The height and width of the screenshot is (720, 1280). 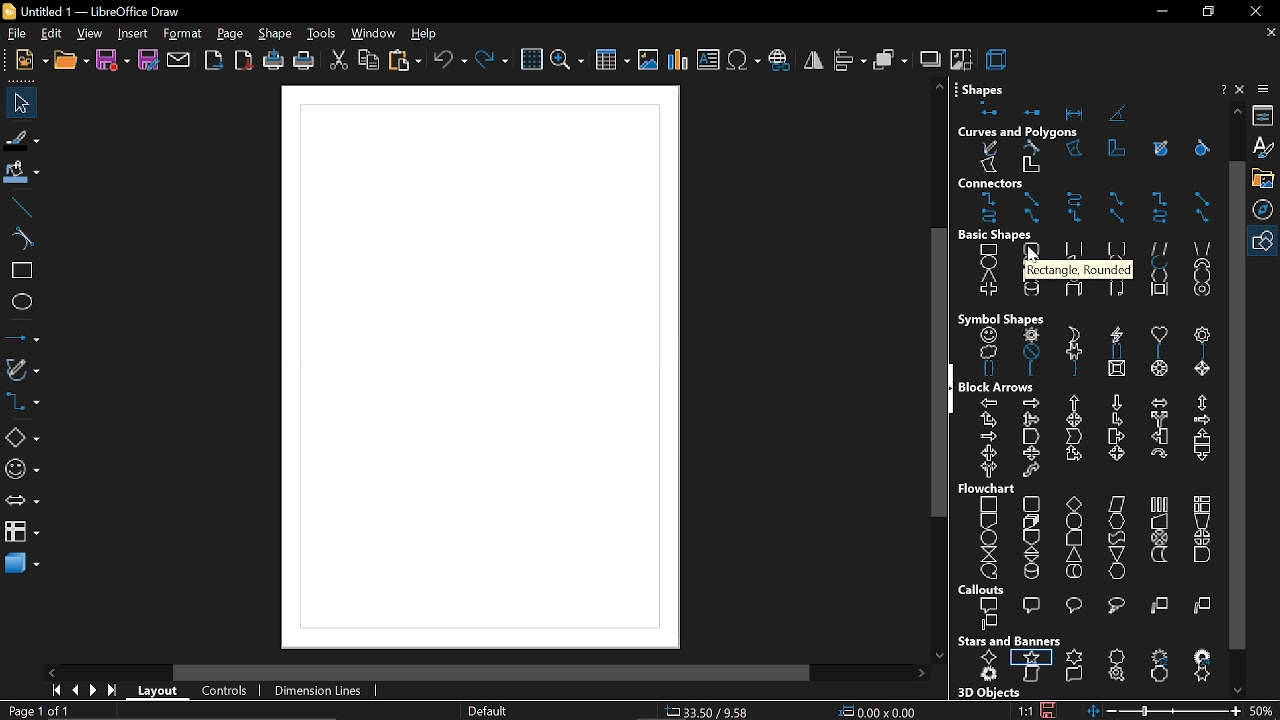 What do you see at coordinates (27, 61) in the screenshot?
I see `new` at bounding box center [27, 61].